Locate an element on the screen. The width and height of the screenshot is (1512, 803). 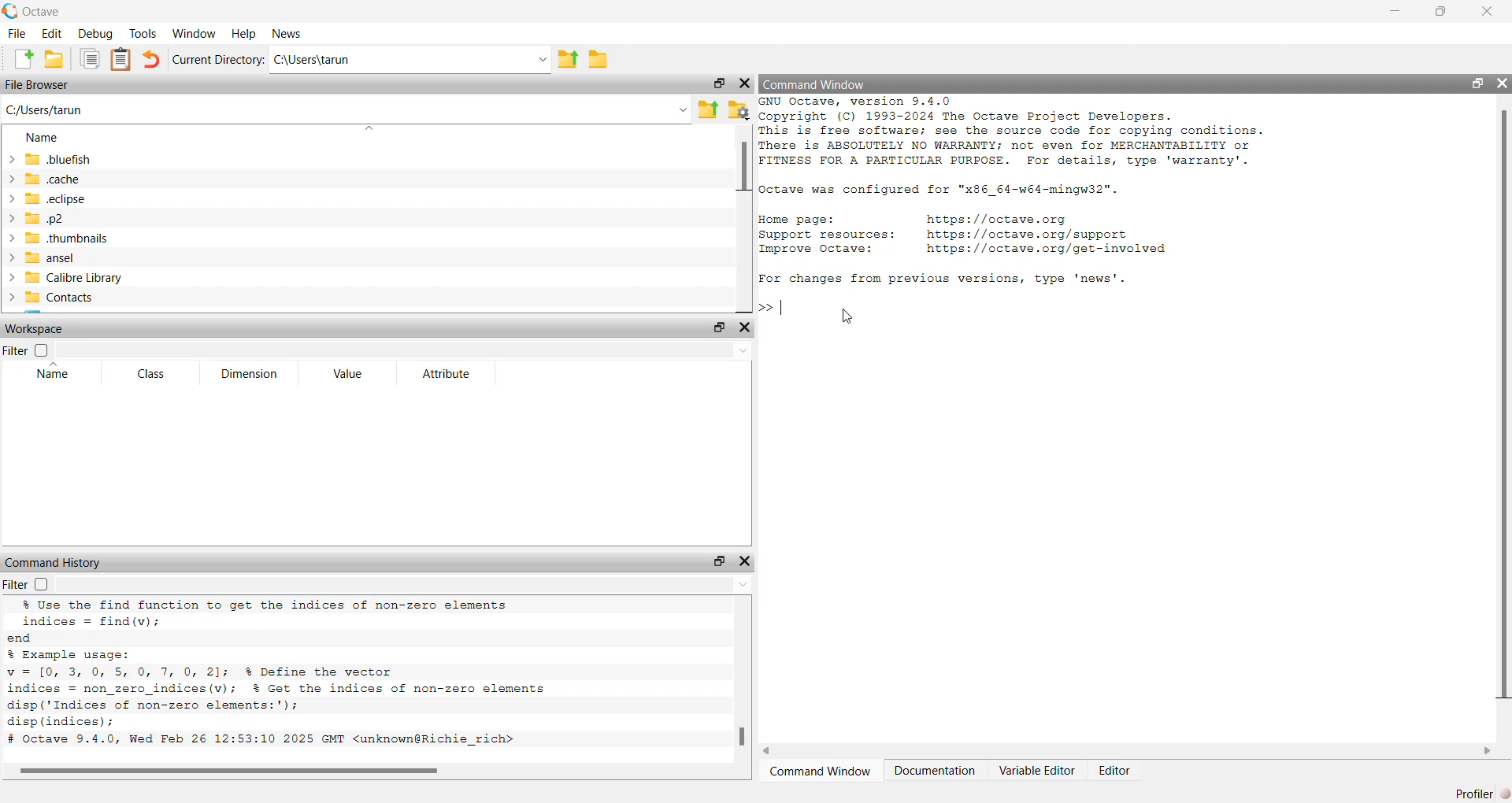
checkbox is located at coordinates (46, 584).